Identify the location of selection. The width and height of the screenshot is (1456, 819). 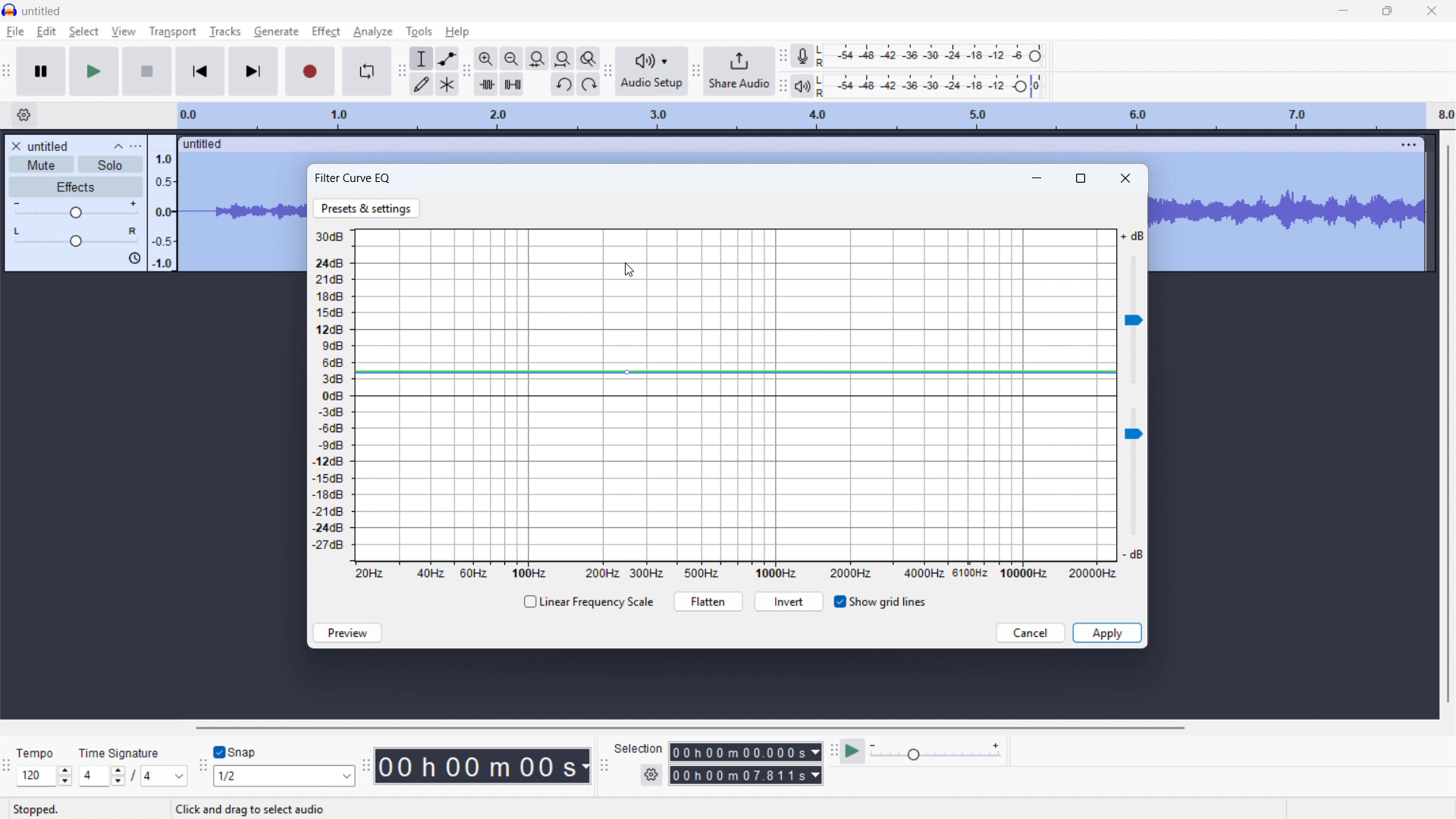
(639, 748).